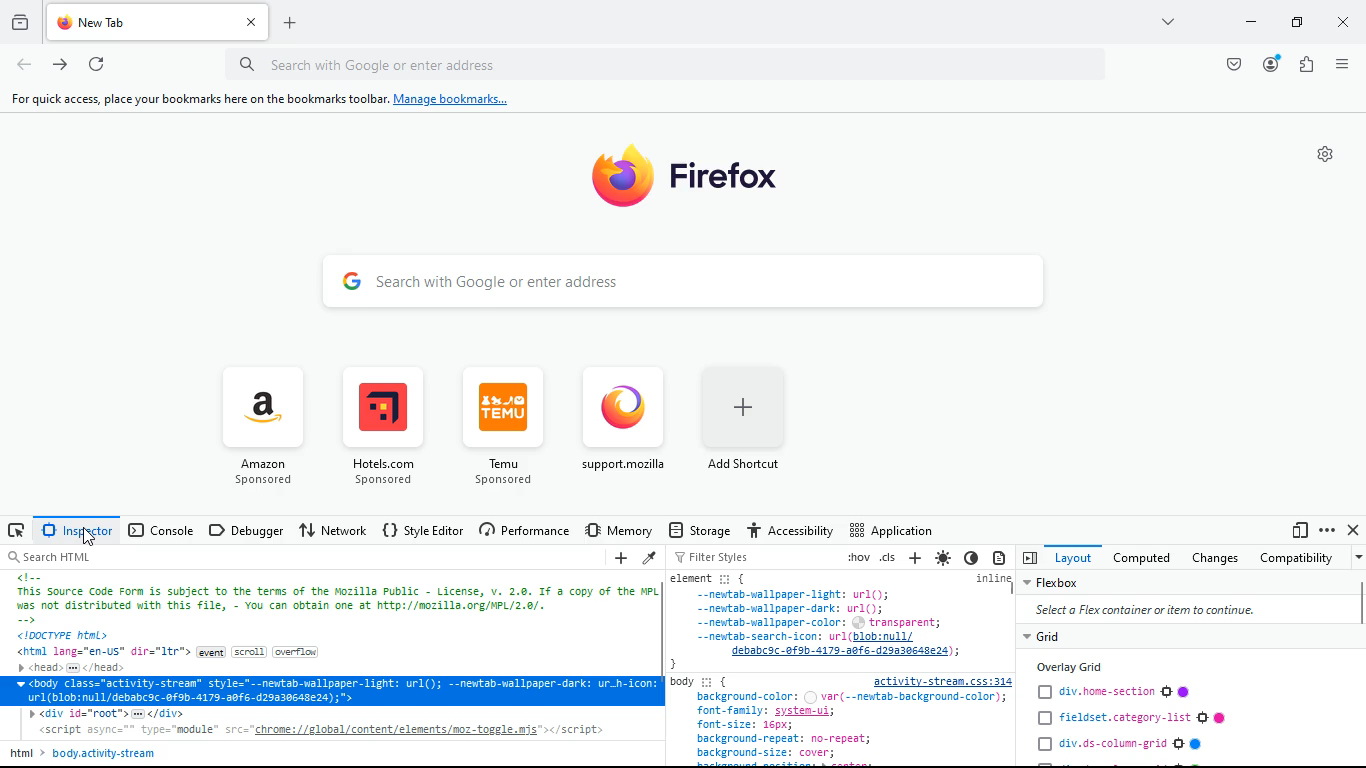 The height and width of the screenshot is (768, 1366). Describe the element at coordinates (49, 558) in the screenshot. I see `search html` at that location.